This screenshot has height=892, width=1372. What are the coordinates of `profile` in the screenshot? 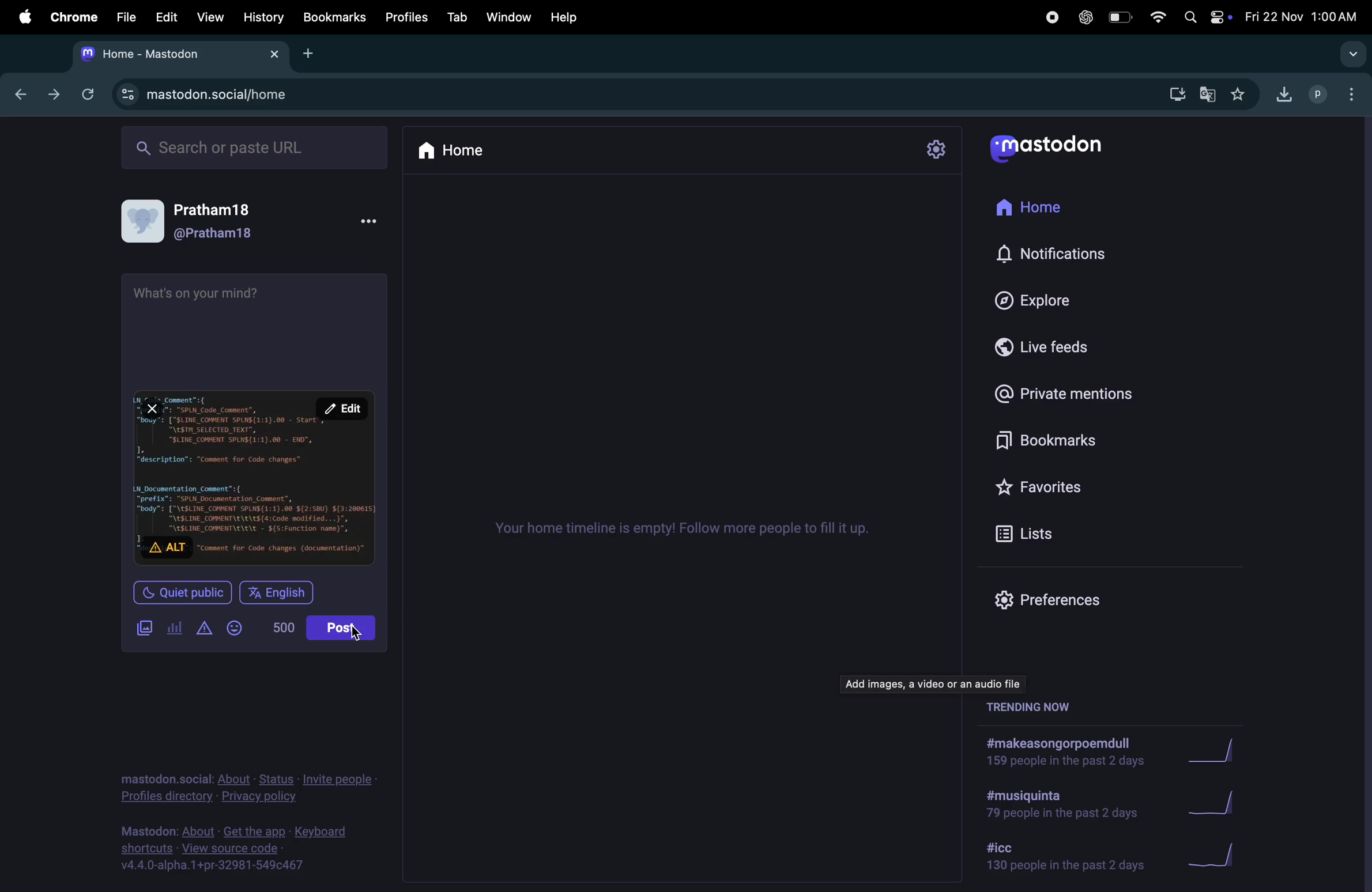 It's located at (1312, 95).